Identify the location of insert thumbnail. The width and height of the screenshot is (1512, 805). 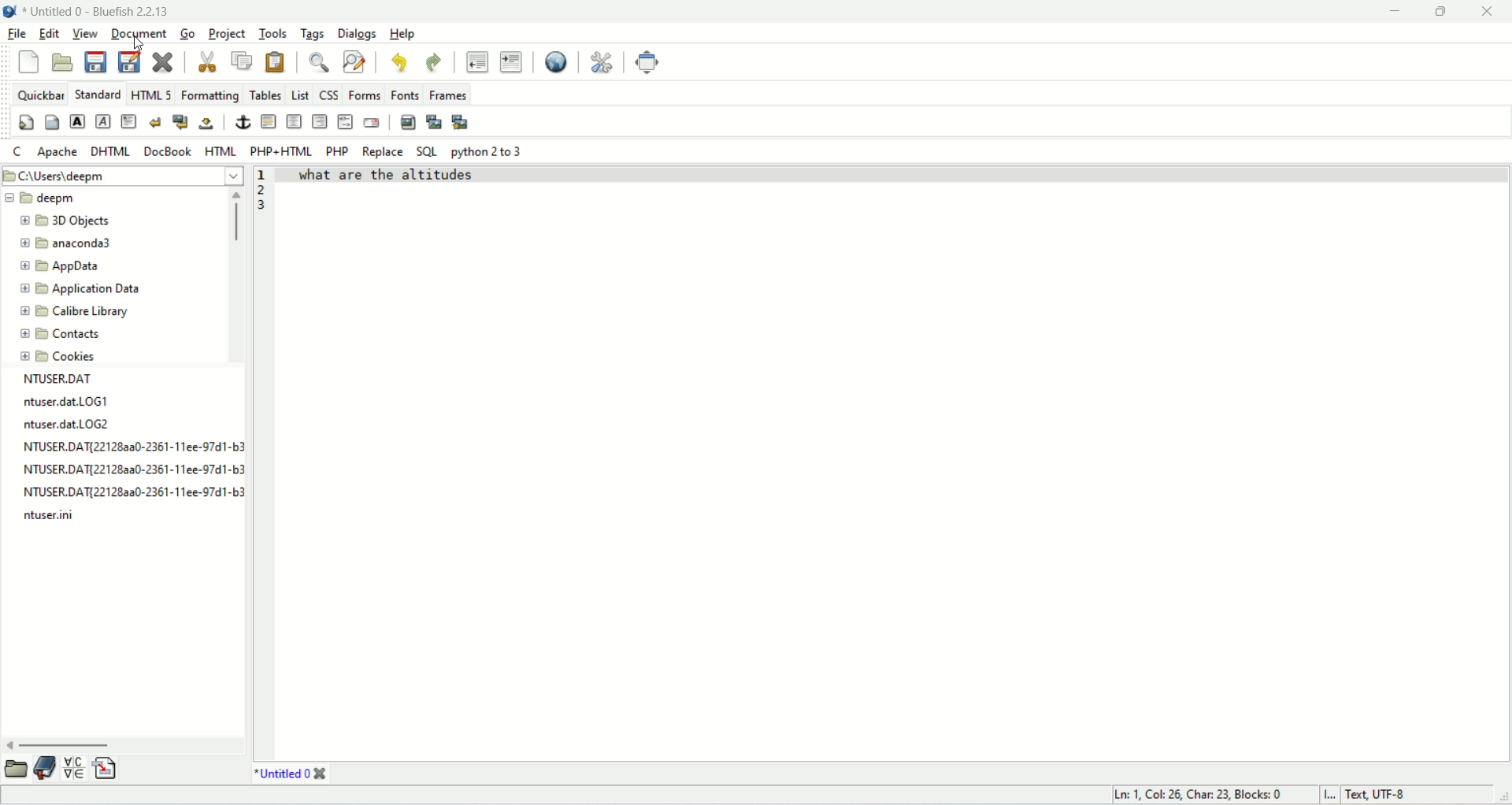
(435, 122).